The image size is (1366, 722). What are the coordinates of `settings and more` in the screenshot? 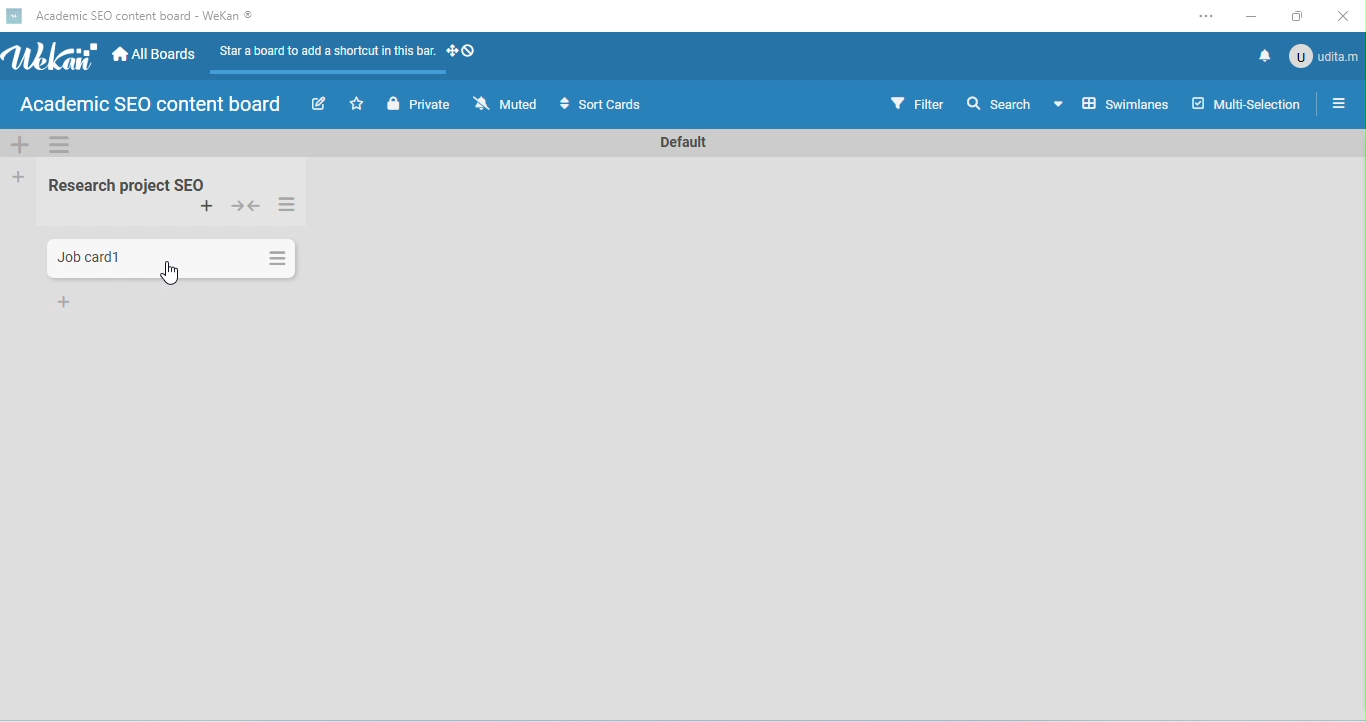 It's located at (1211, 16).